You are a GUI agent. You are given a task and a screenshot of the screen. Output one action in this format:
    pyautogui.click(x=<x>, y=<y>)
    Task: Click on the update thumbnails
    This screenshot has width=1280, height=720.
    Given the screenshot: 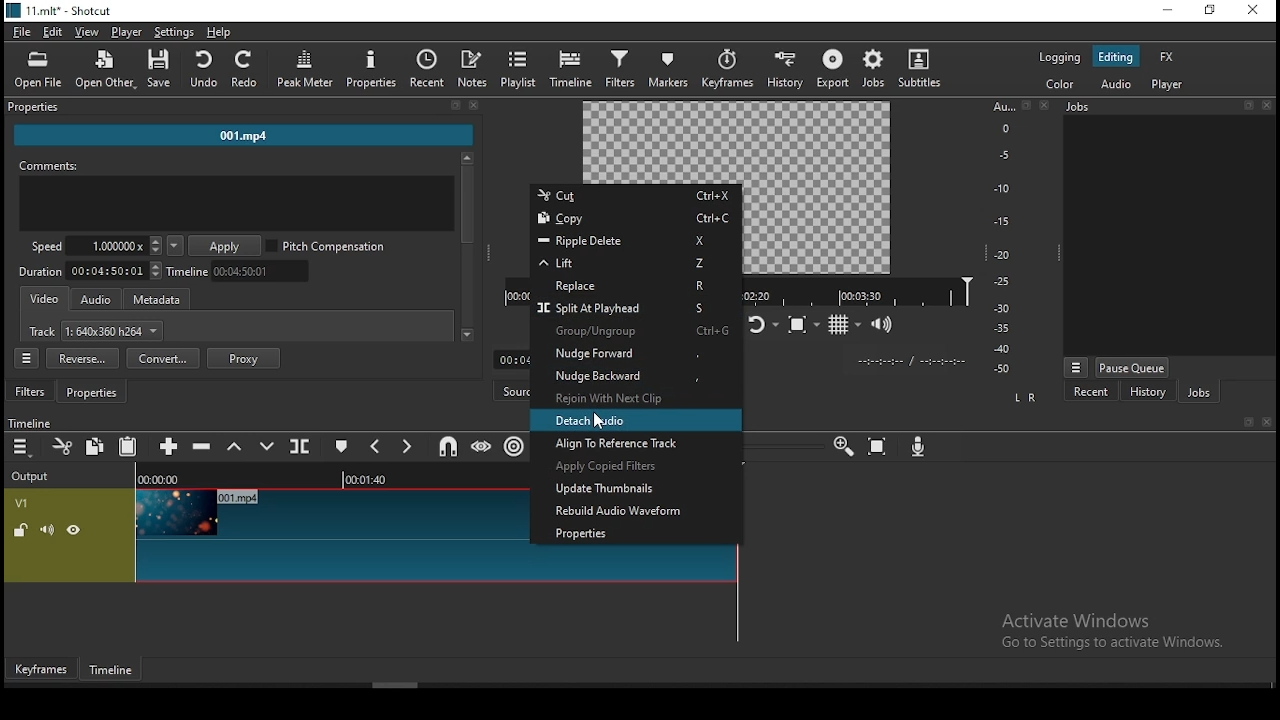 What is the action you would take?
    pyautogui.click(x=638, y=489)
    